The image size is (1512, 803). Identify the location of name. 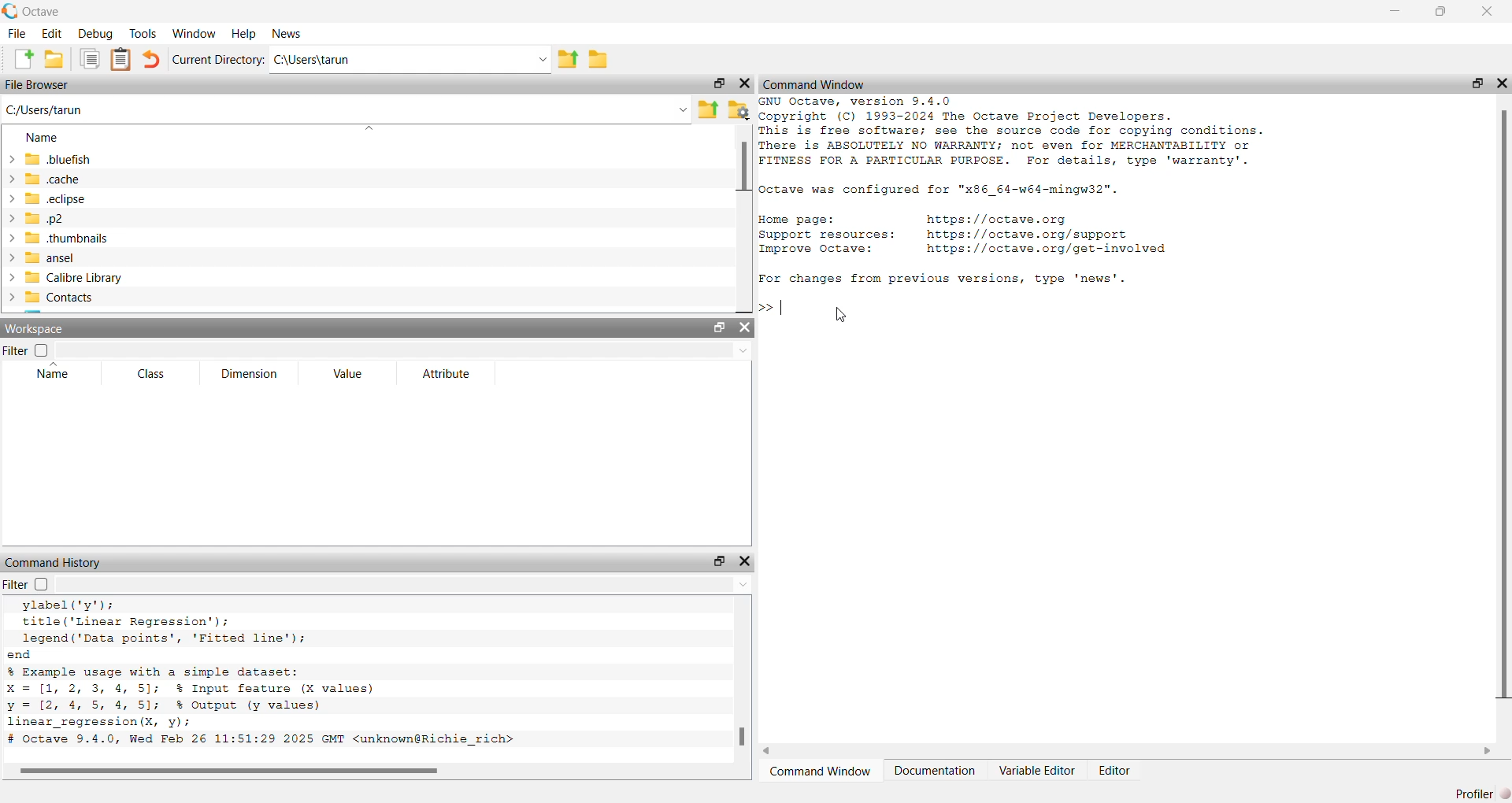
(46, 139).